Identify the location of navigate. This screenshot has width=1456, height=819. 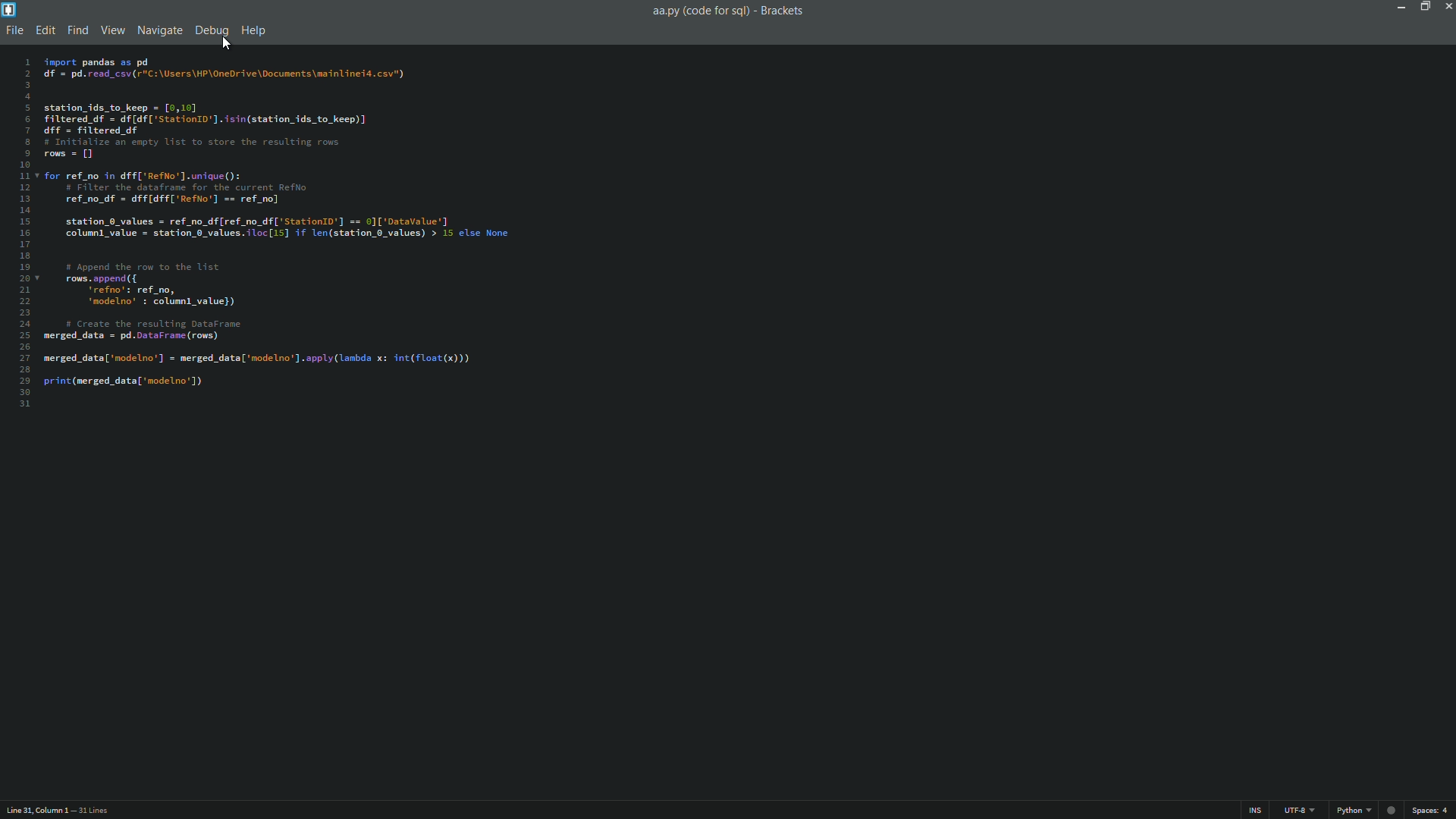
(157, 30).